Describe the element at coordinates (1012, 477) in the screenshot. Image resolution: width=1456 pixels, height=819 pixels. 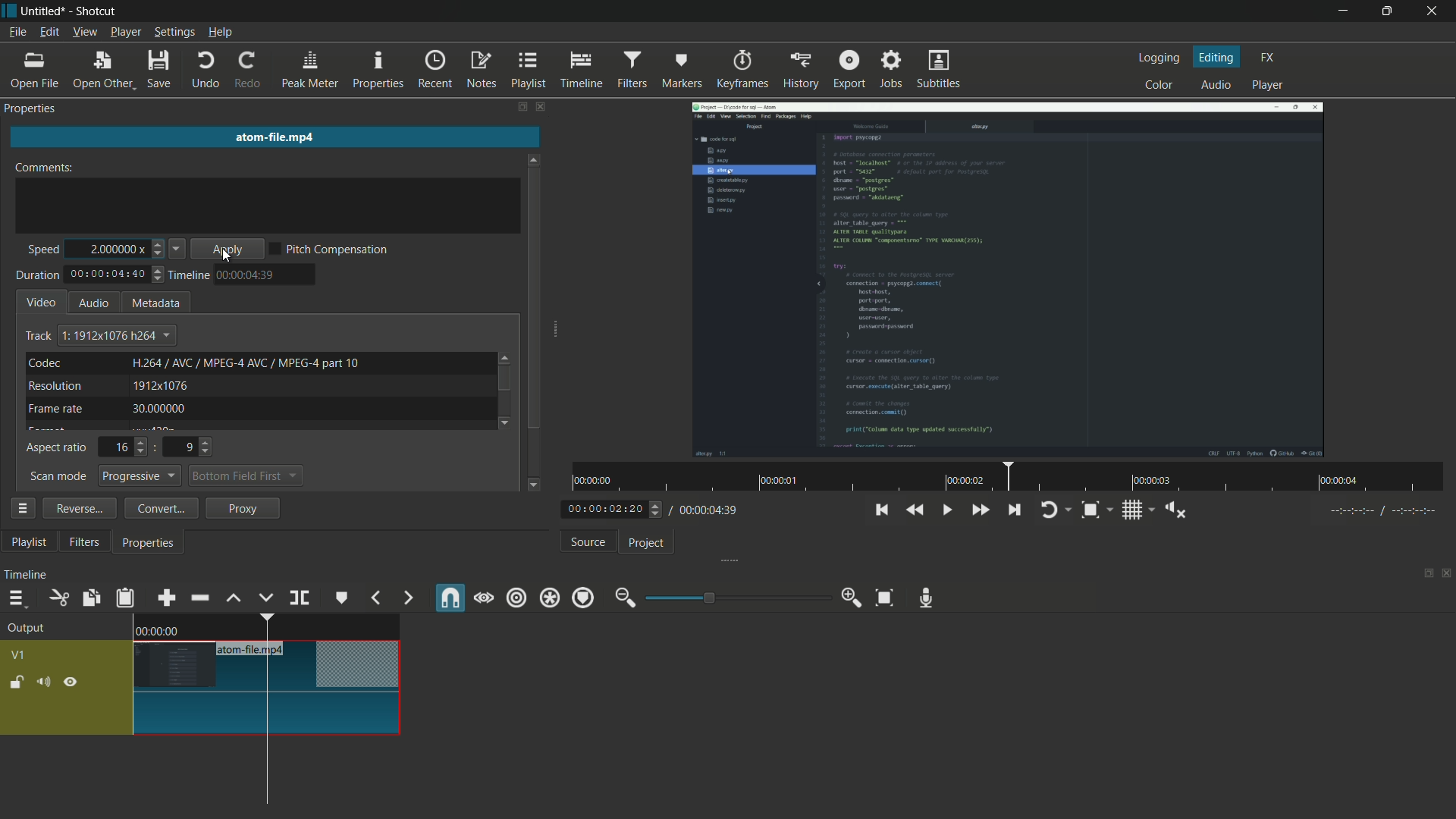
I see `time` at that location.